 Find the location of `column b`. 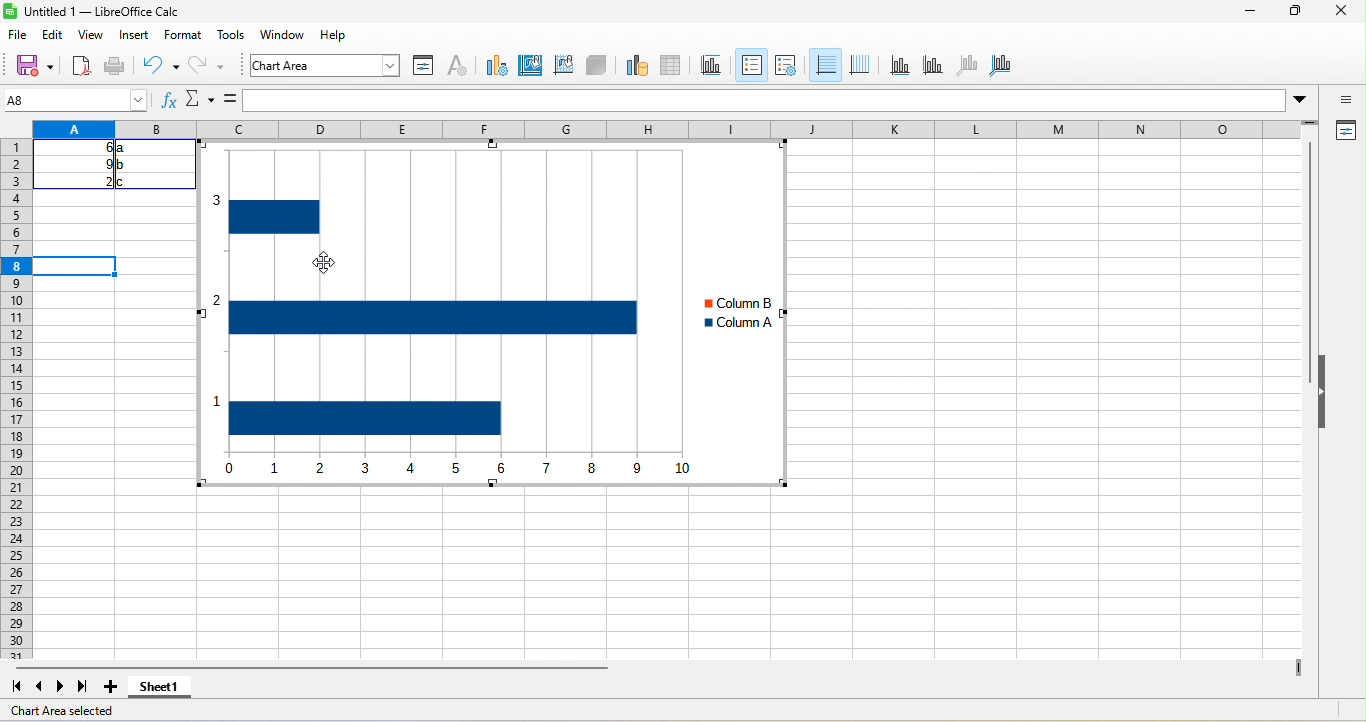

column b is located at coordinates (748, 303).